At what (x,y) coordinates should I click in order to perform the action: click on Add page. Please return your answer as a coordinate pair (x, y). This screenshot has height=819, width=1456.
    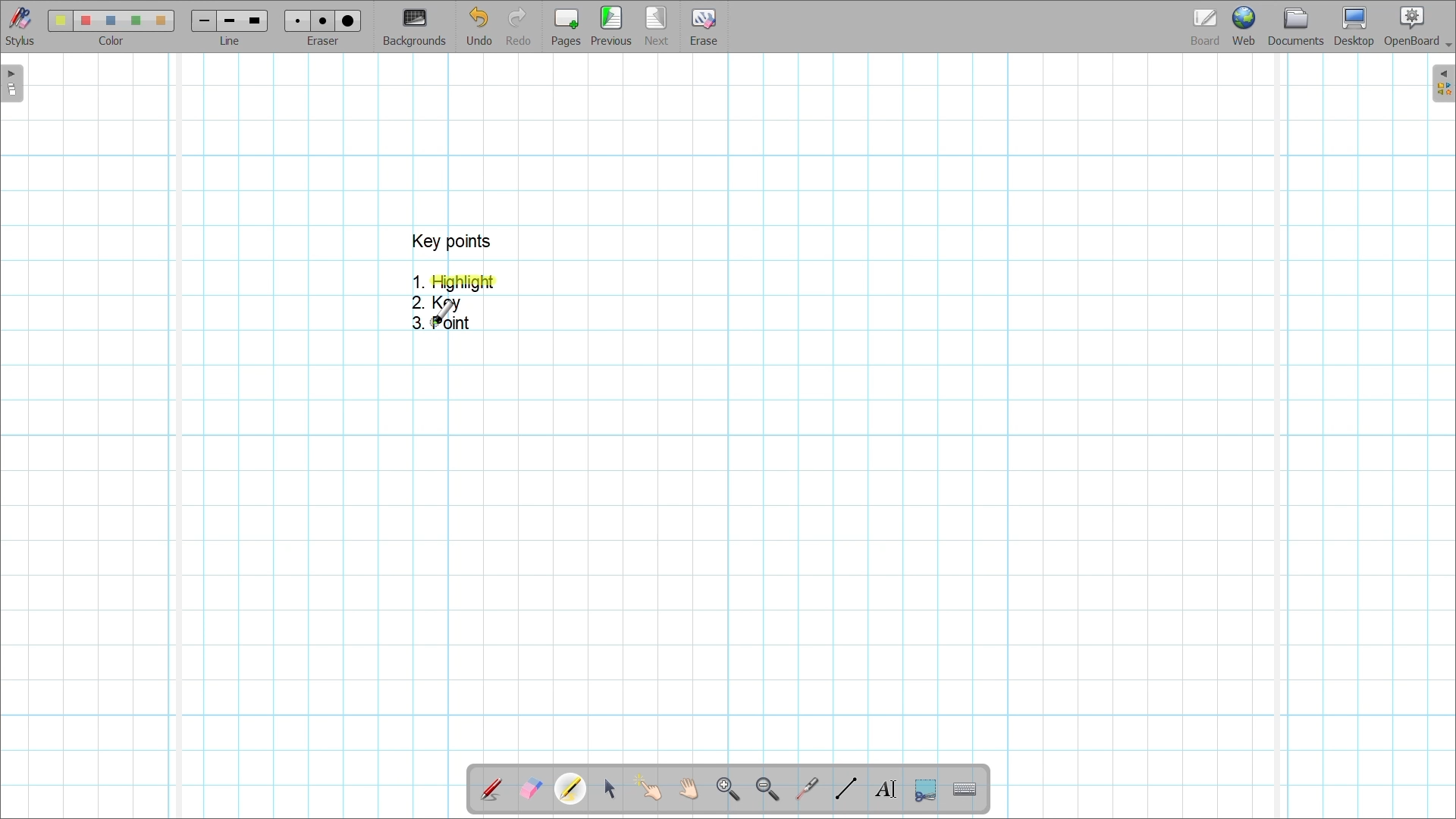
    Looking at the image, I should click on (566, 27).